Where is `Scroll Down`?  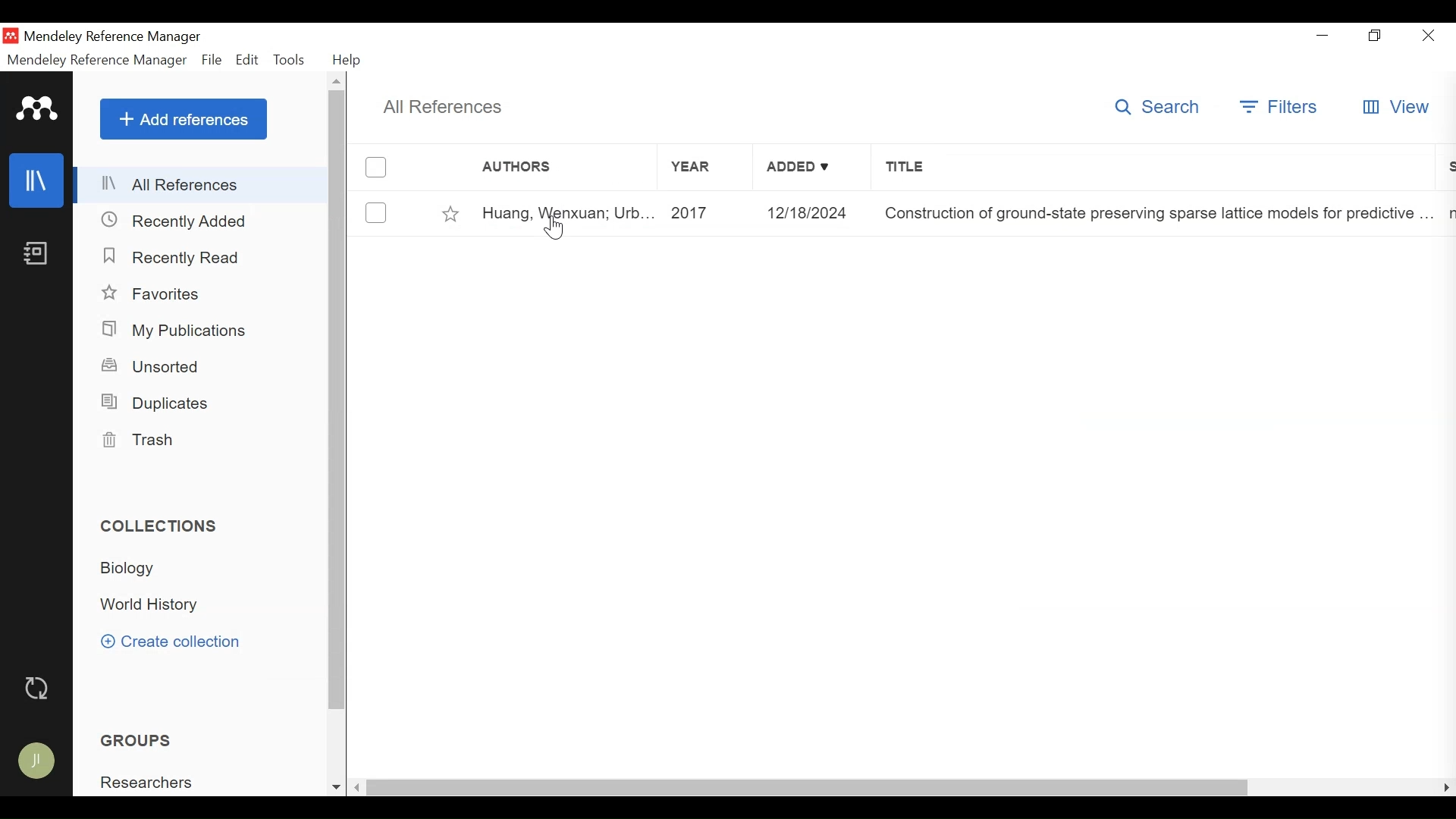 Scroll Down is located at coordinates (334, 788).